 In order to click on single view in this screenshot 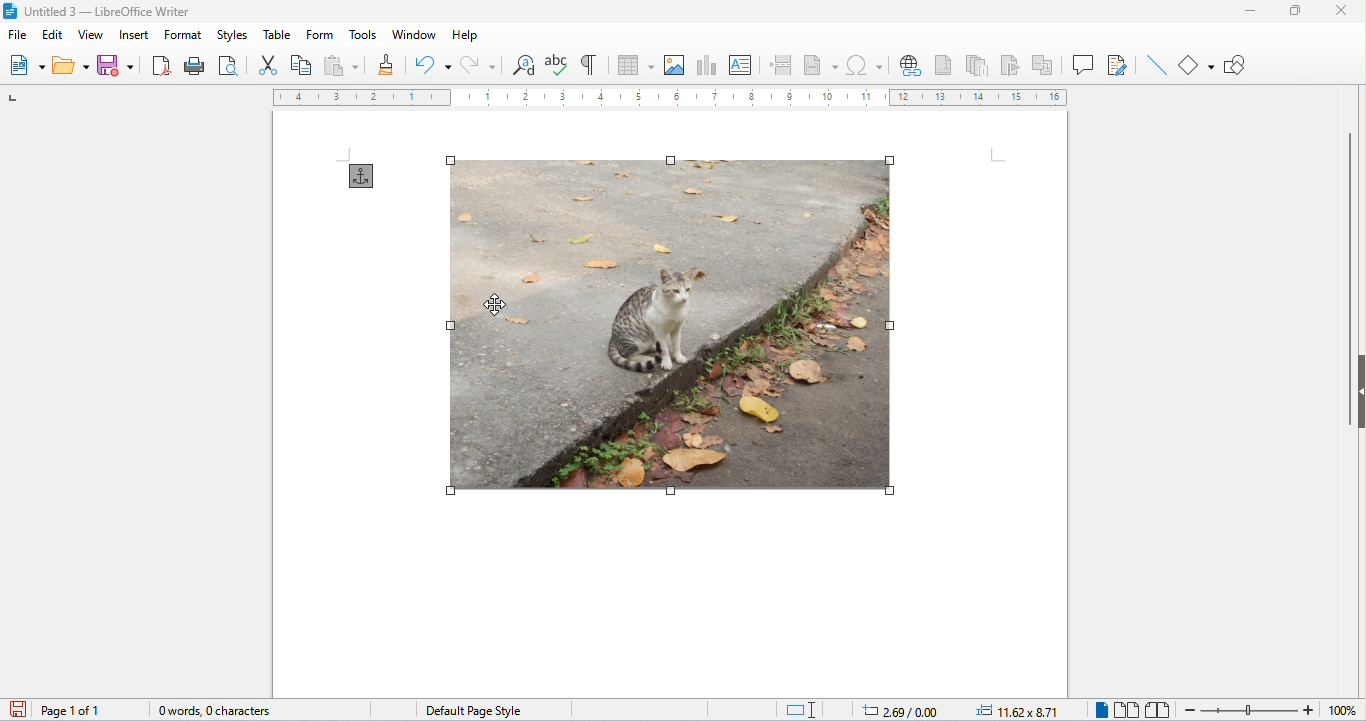, I will do `click(1099, 710)`.